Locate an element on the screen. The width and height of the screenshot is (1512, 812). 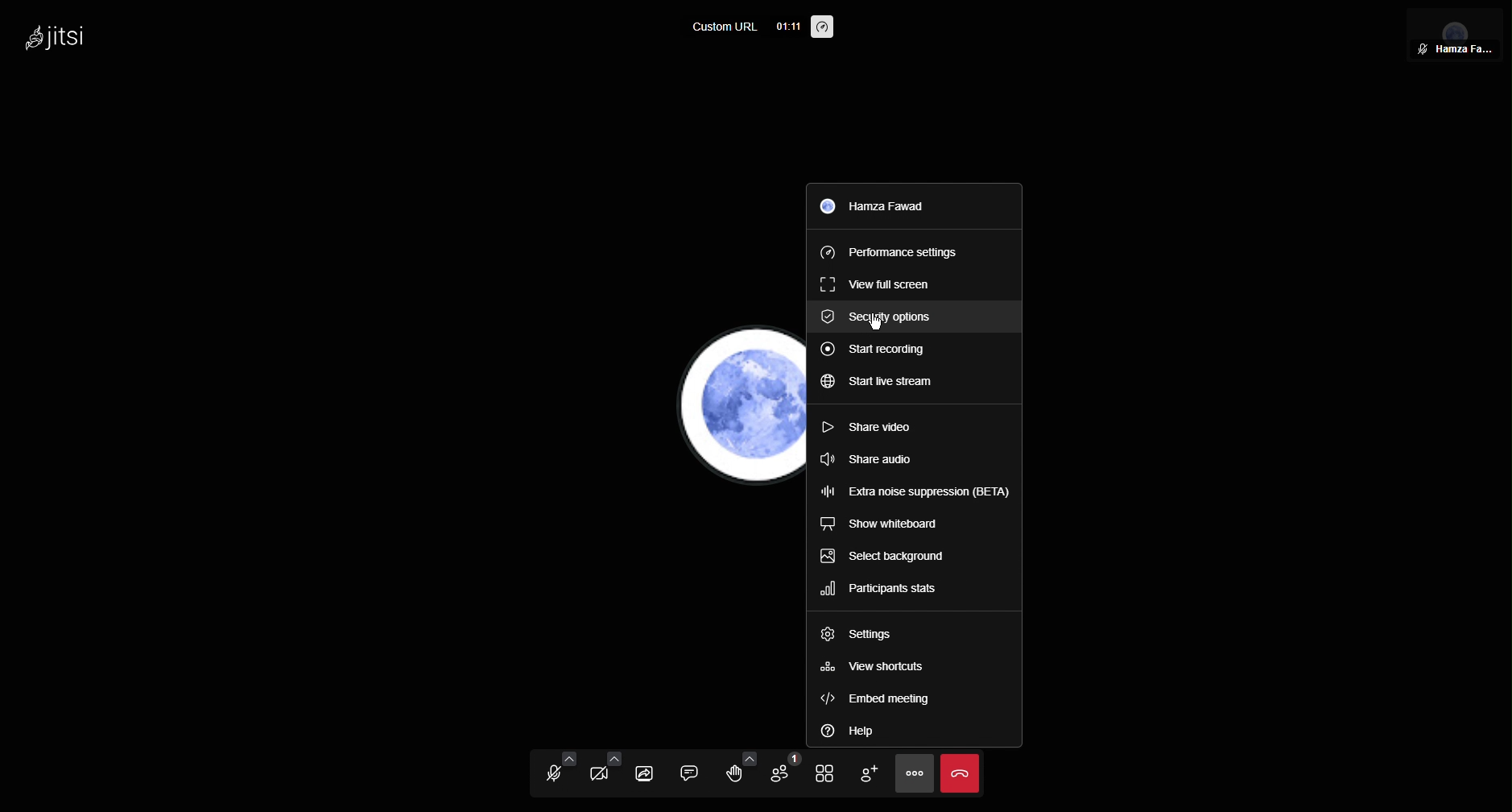
Extra noise suppression is located at coordinates (915, 491).